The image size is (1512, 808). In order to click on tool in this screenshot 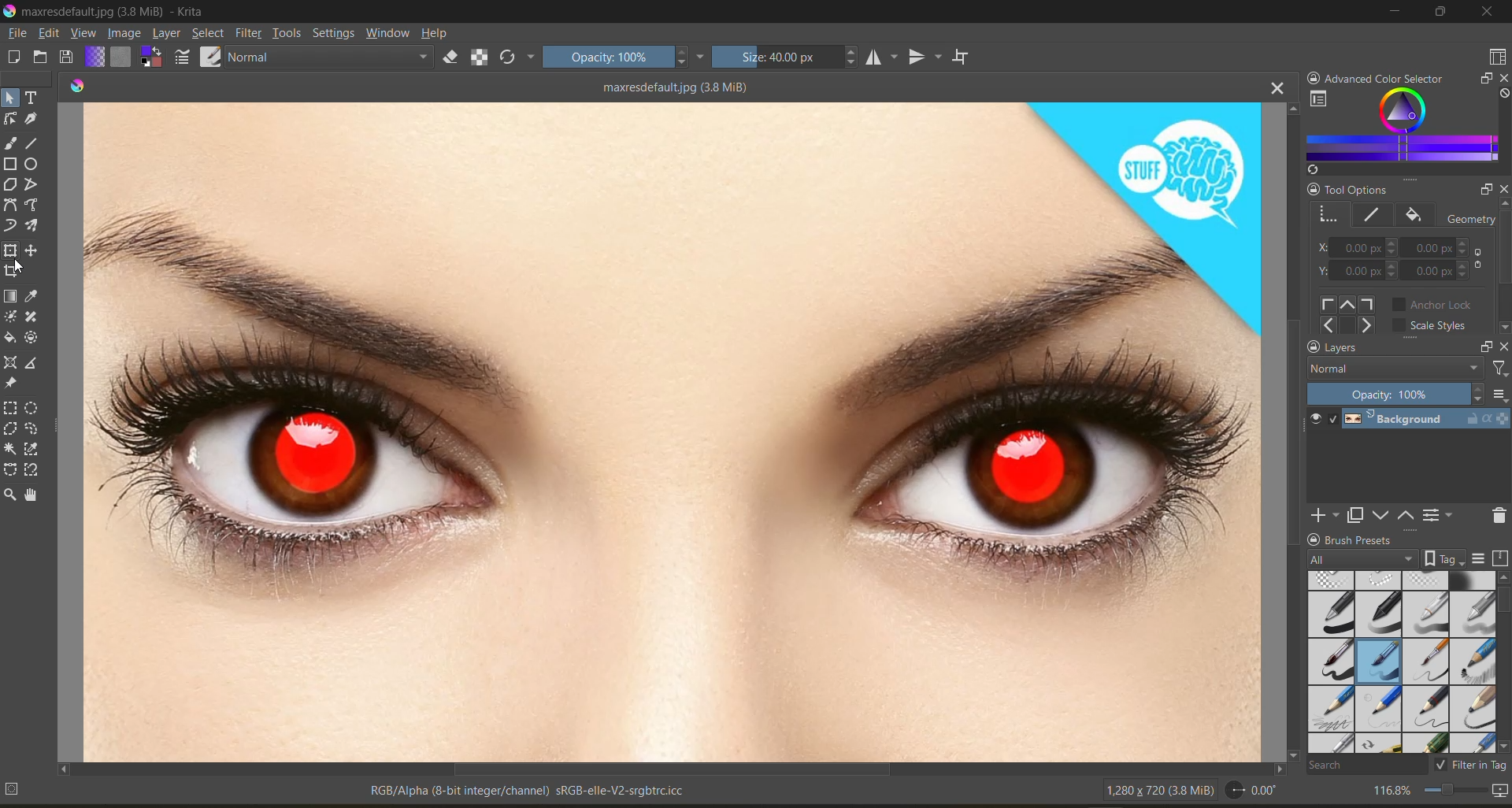, I will do `click(32, 339)`.